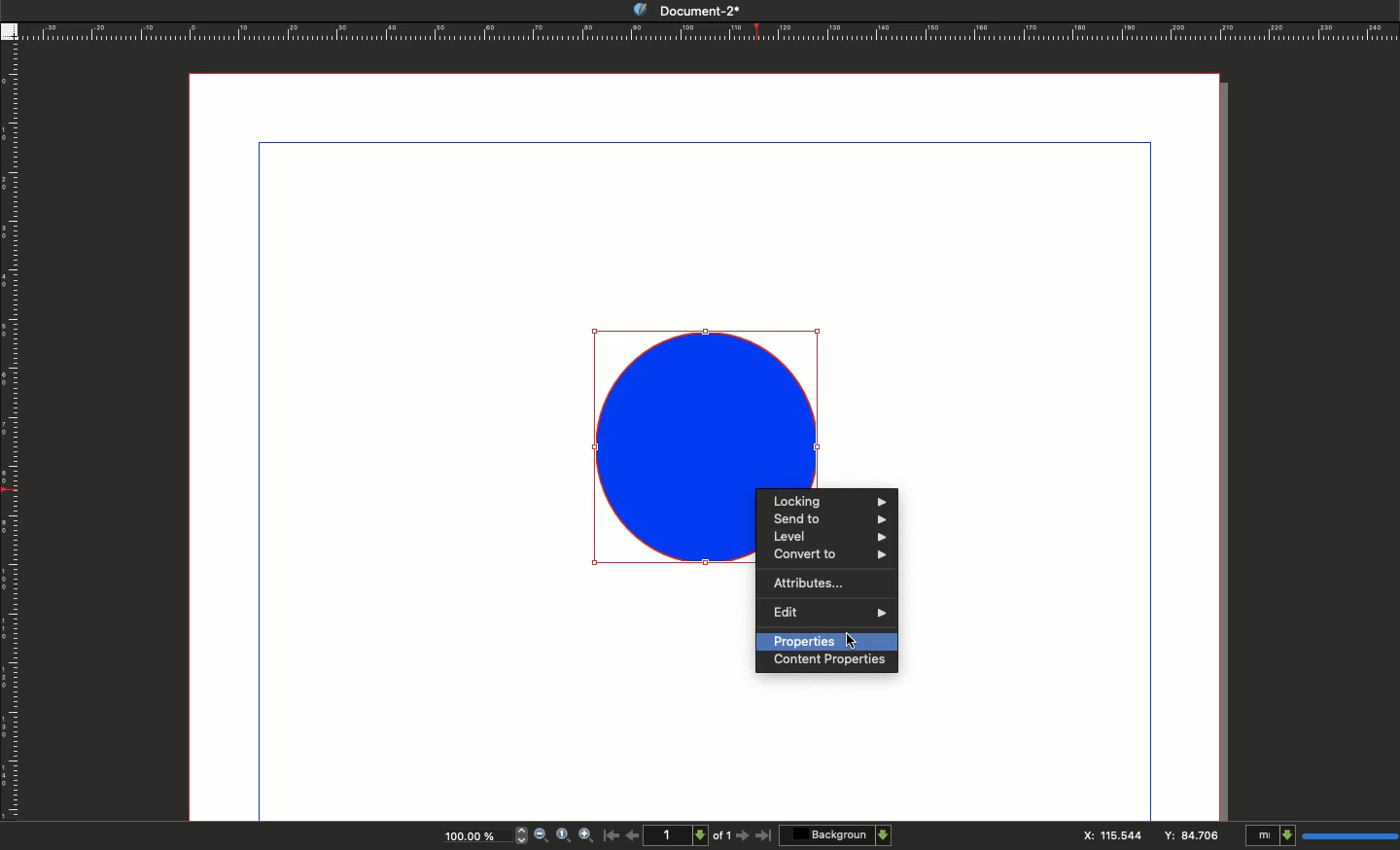 This screenshot has height=850, width=1400. What do you see at coordinates (1318, 836) in the screenshot?
I see `mI` at bounding box center [1318, 836].